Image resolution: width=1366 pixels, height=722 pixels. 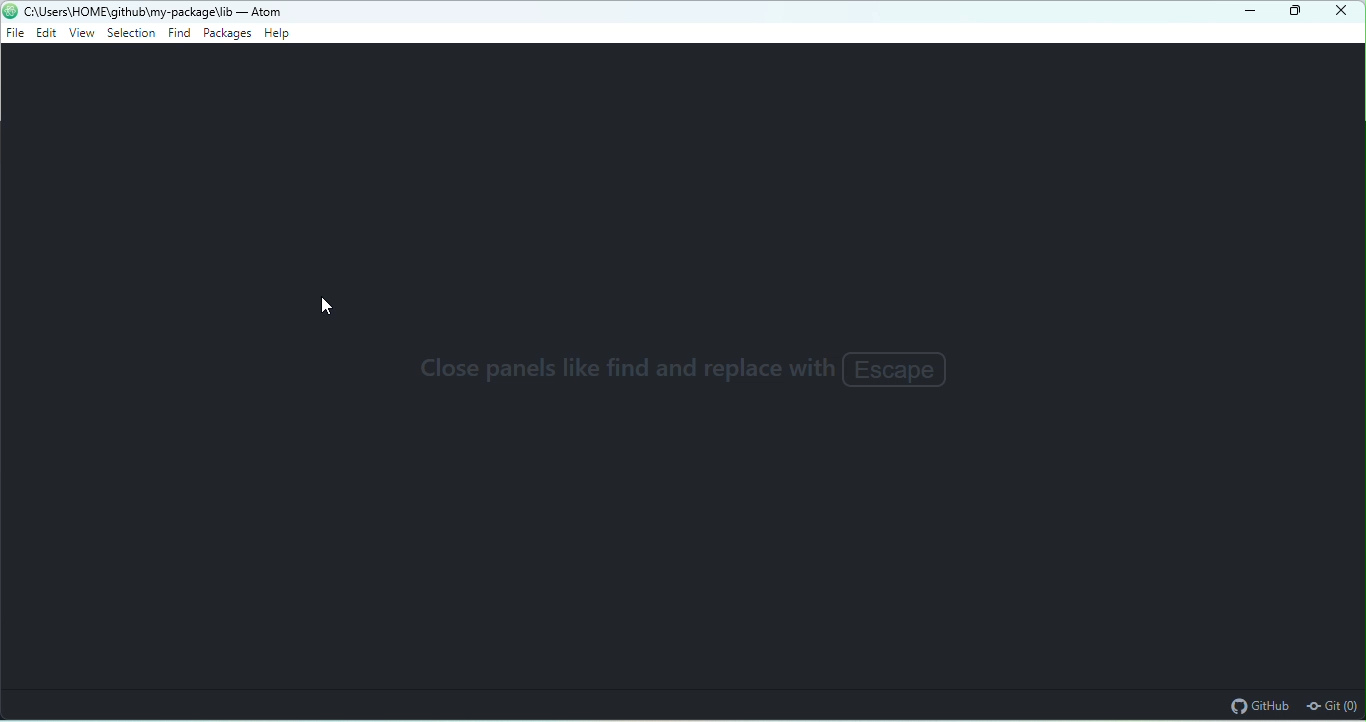 I want to click on file, so click(x=15, y=34).